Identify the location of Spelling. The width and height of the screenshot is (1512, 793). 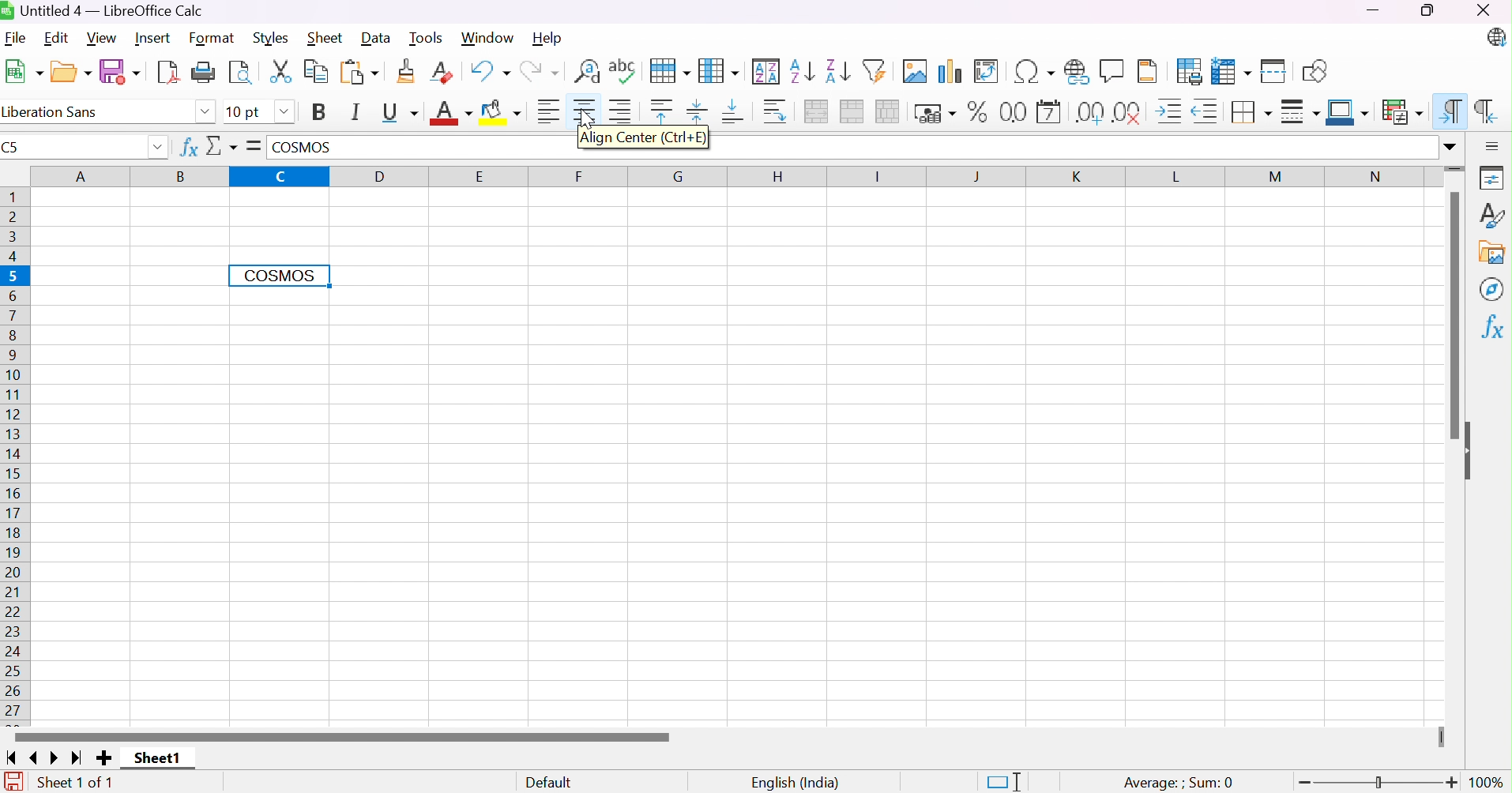
(623, 70).